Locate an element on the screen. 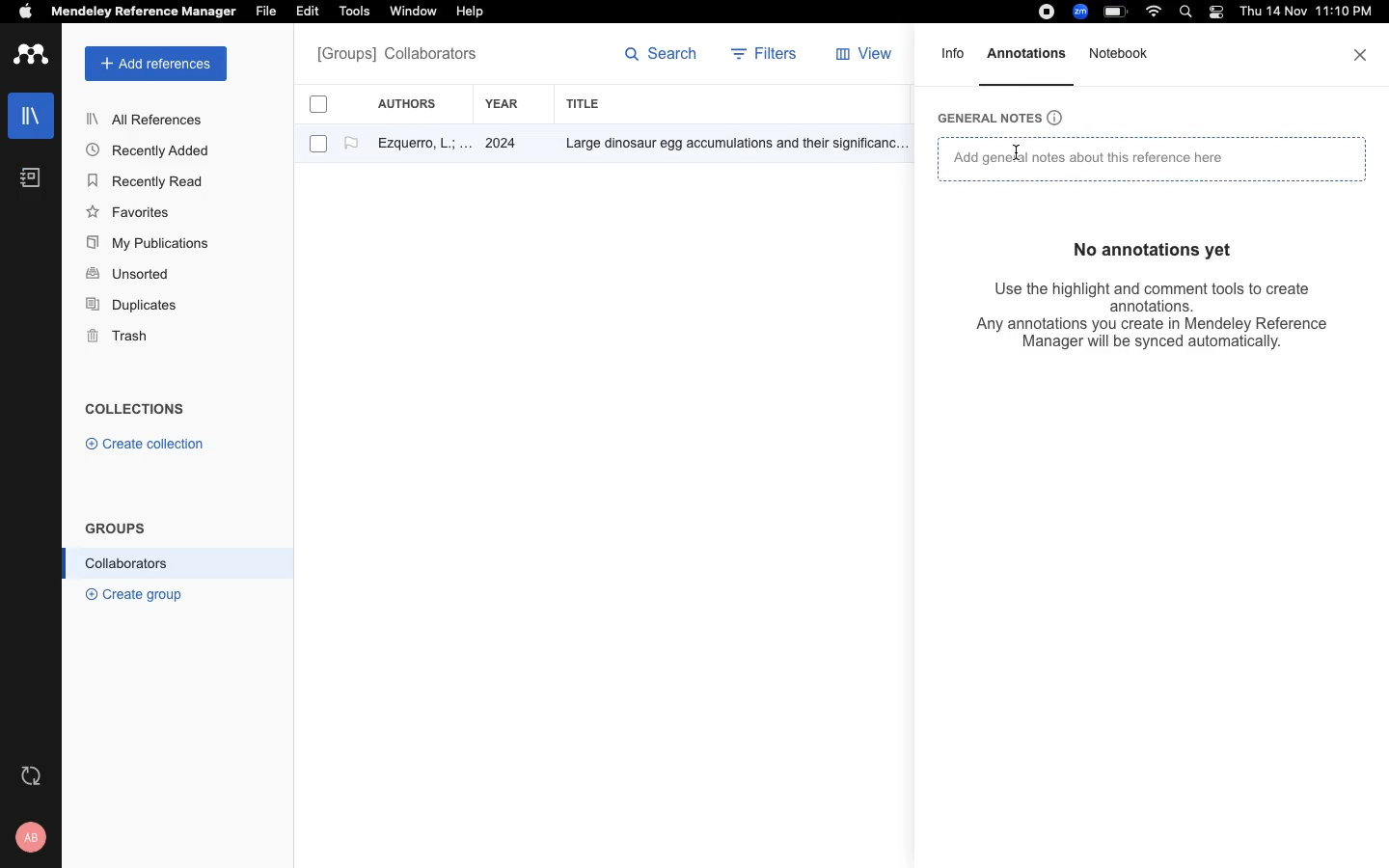 This screenshot has width=1389, height=868. profile is located at coordinates (34, 837).